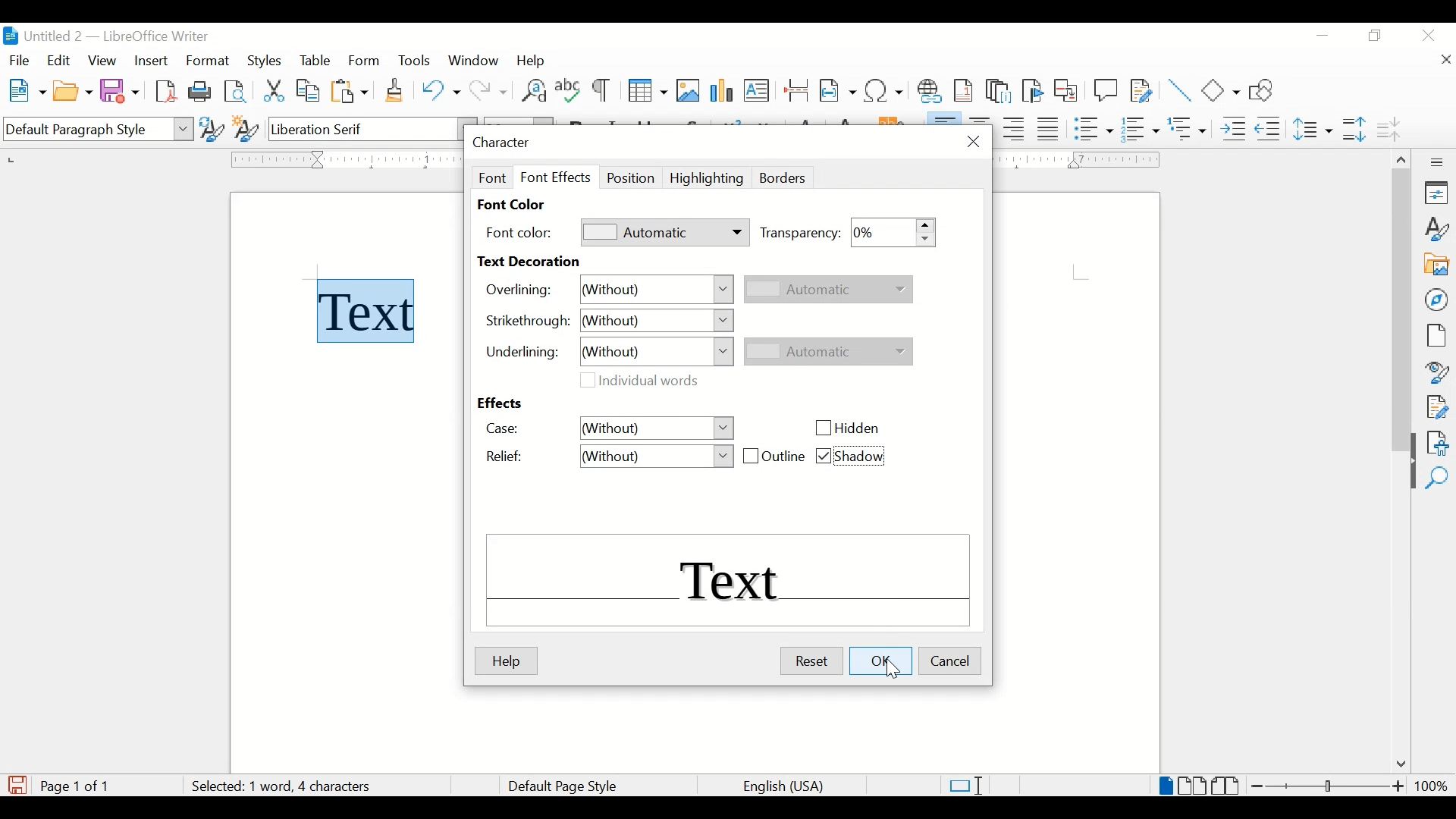  What do you see at coordinates (521, 353) in the screenshot?
I see `underlining:` at bounding box center [521, 353].